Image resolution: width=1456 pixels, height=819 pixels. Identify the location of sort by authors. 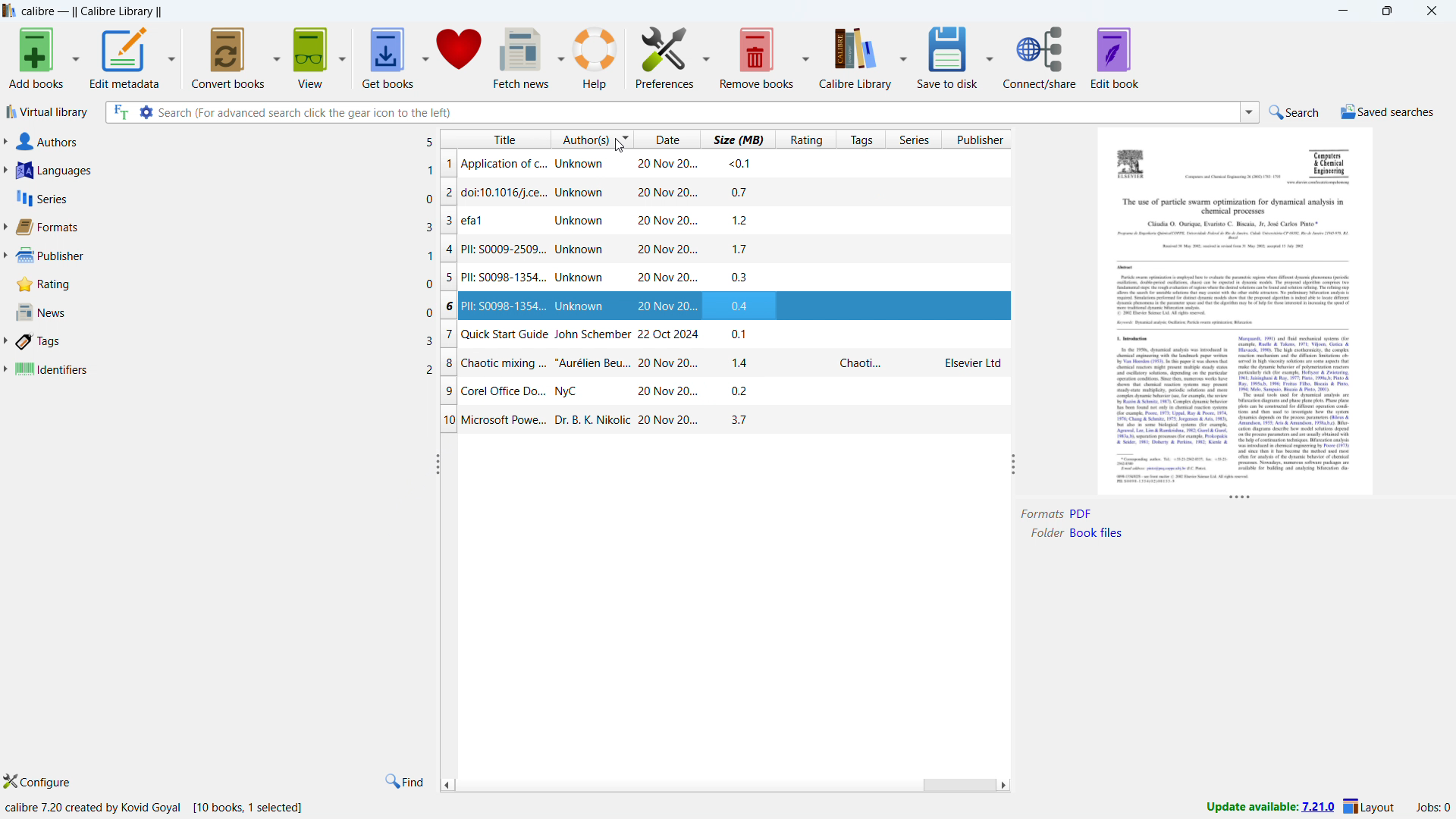
(591, 139).